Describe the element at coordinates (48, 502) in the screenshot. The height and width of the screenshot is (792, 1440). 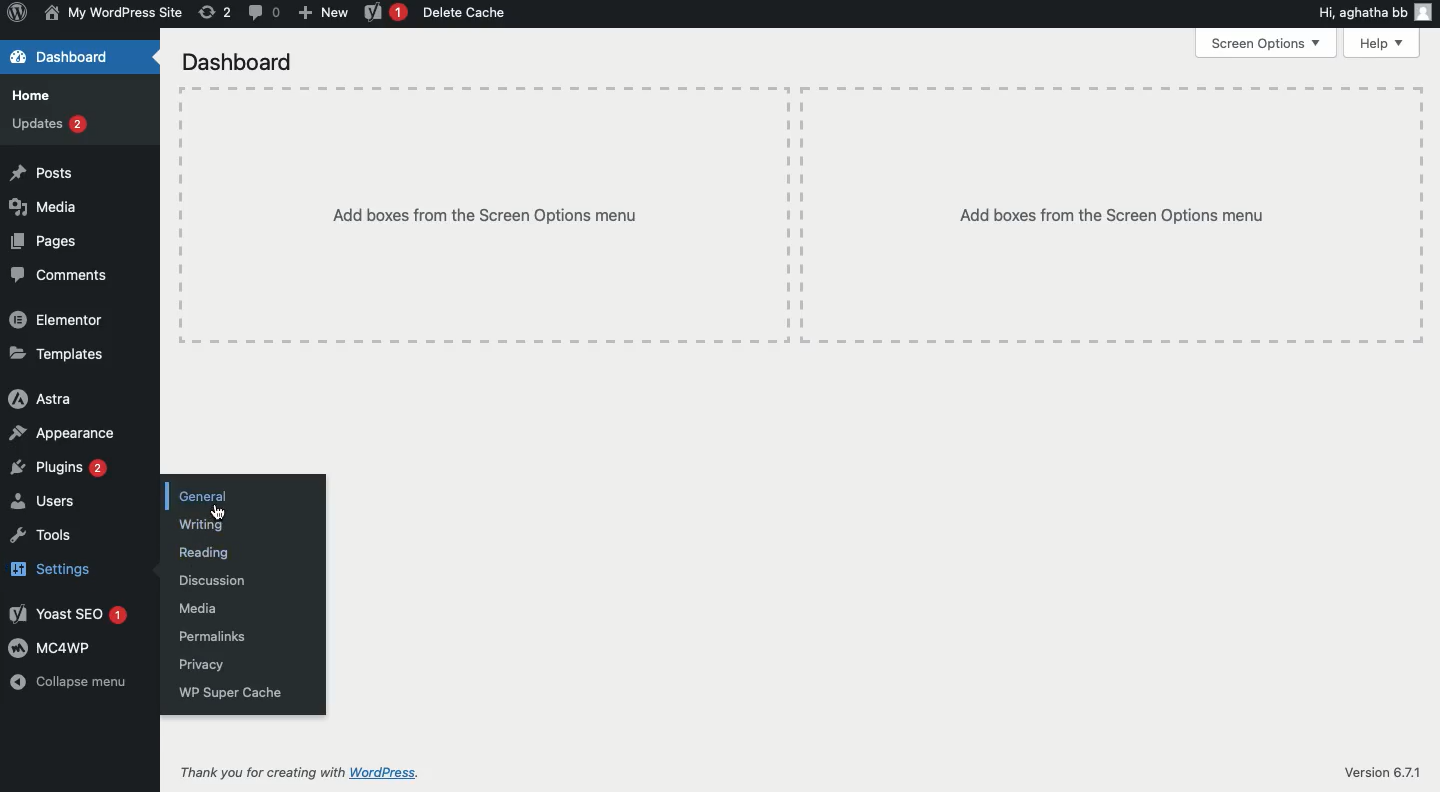
I see `Users` at that location.